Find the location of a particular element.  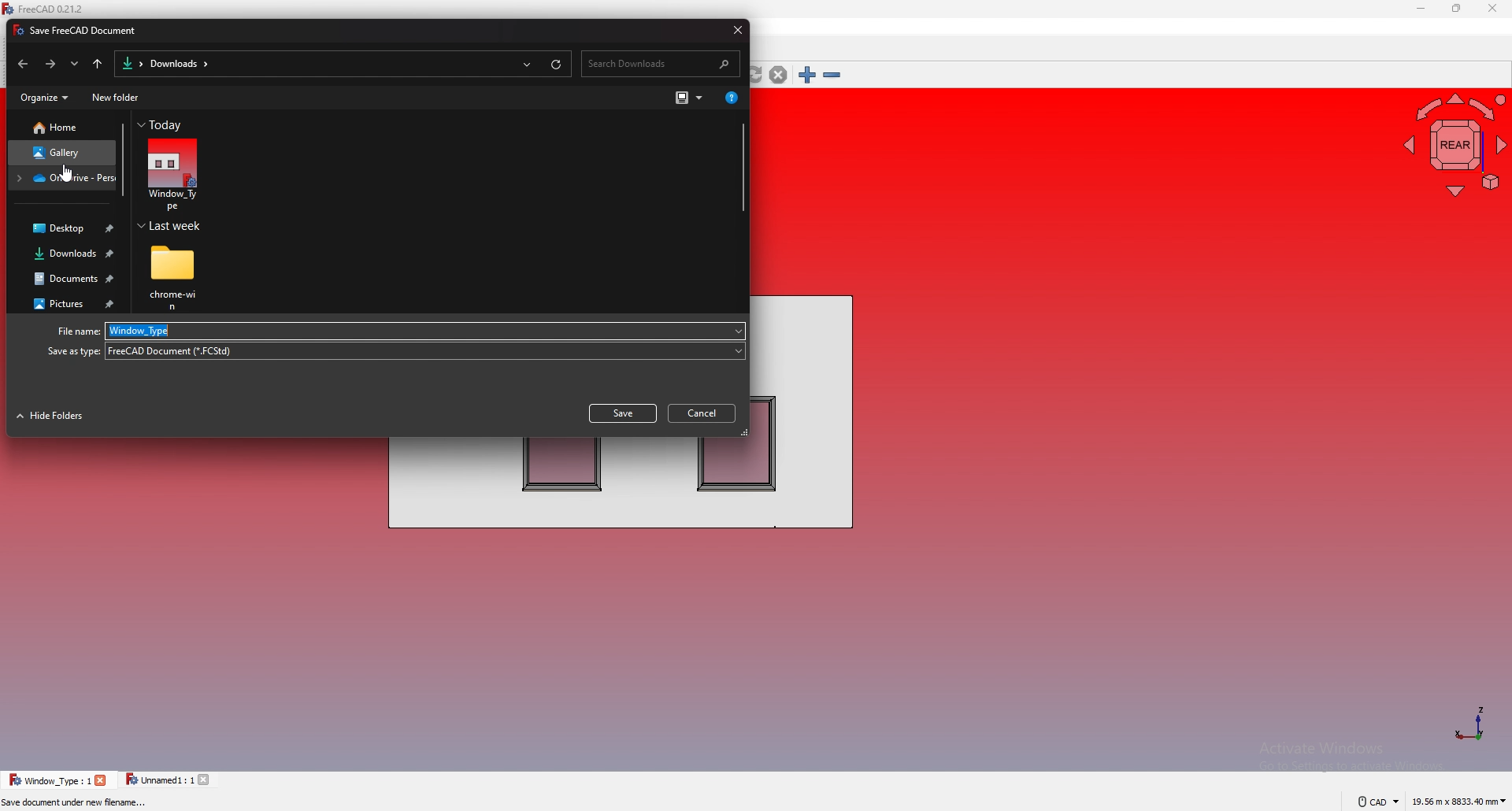

Window_Type is located at coordinates (428, 330).